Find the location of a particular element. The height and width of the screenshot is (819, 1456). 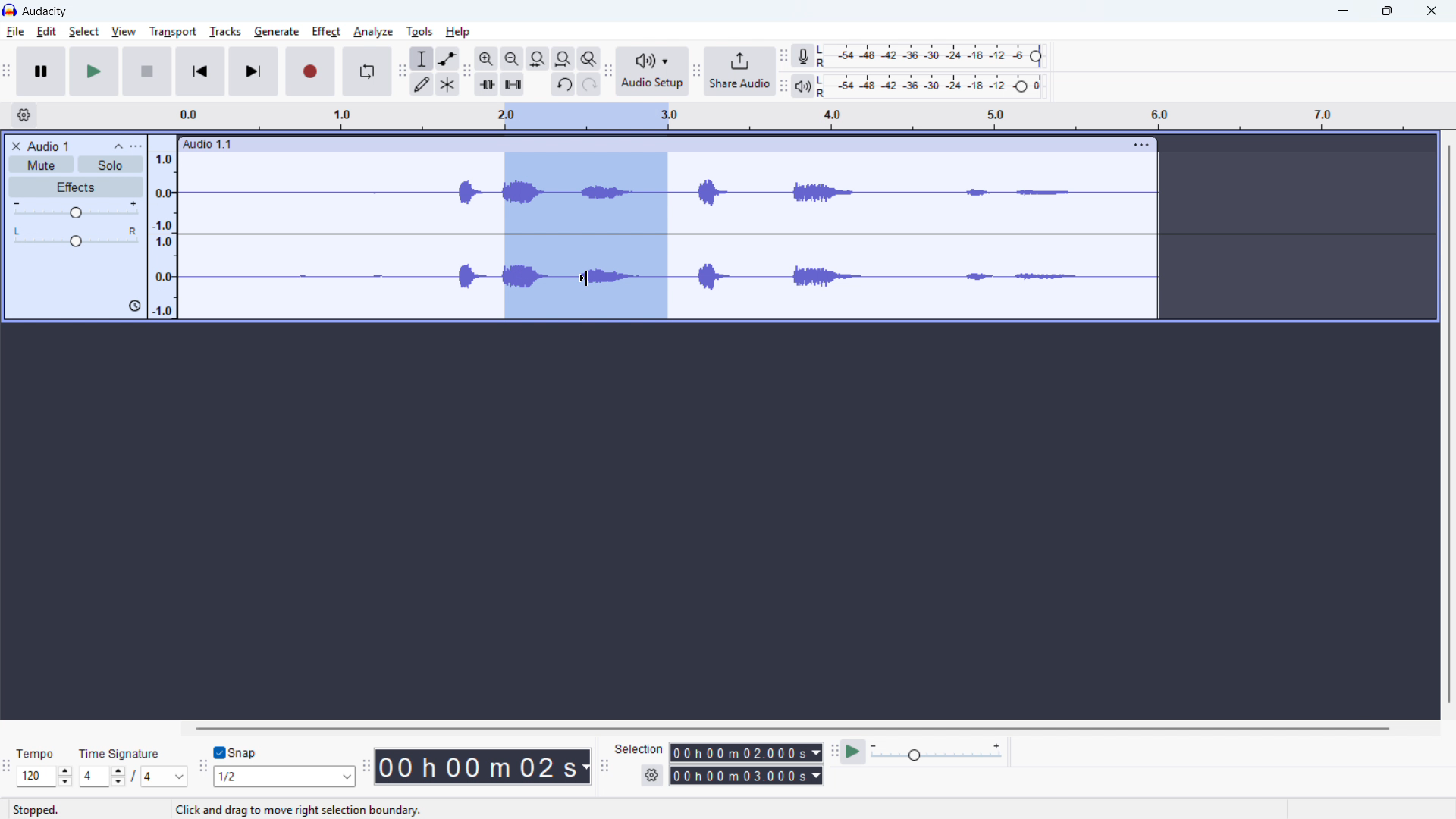

Enable looping is located at coordinates (368, 71).